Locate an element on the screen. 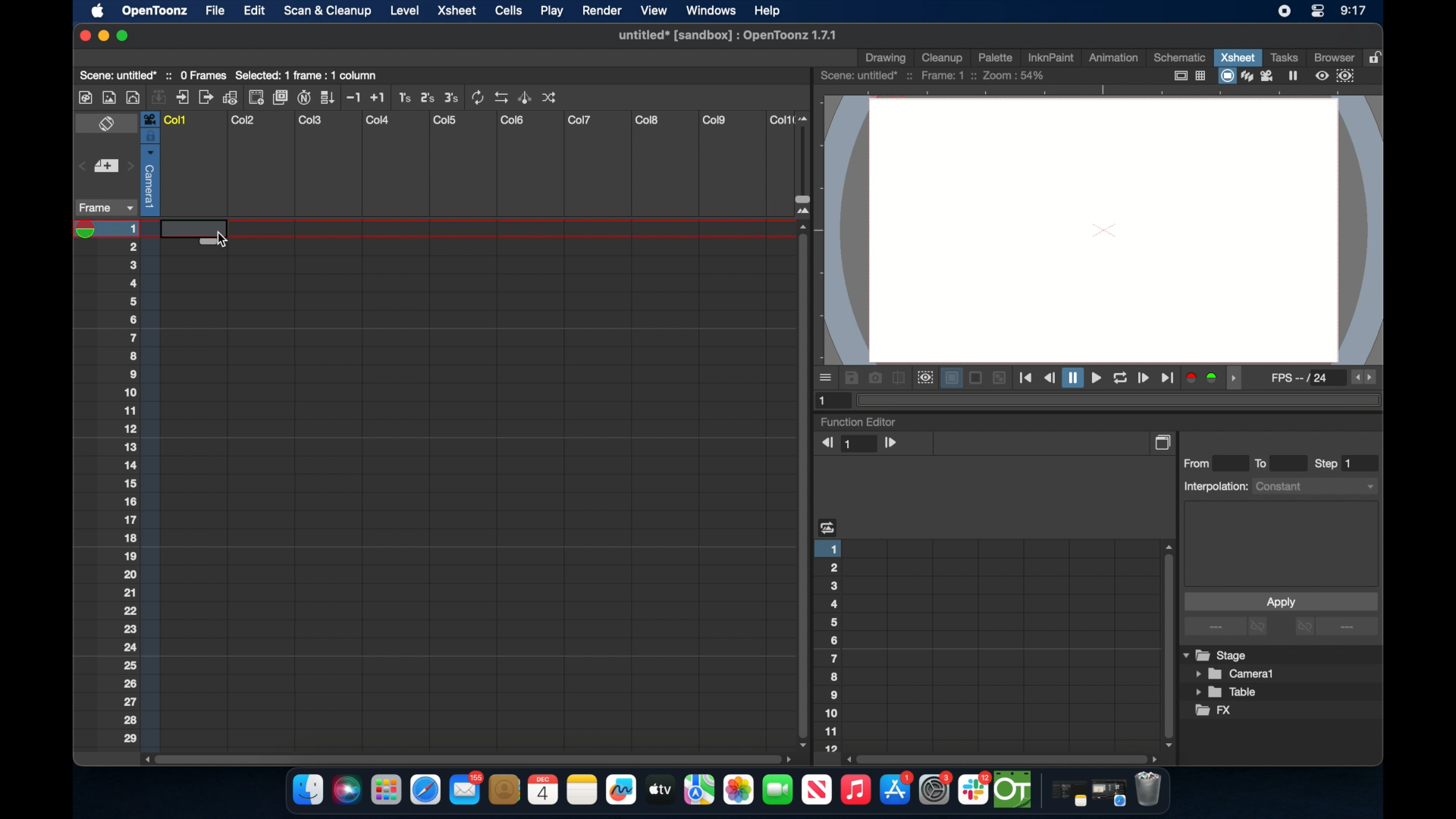 This screenshot has height=819, width=1456. freeform is located at coordinates (622, 790).